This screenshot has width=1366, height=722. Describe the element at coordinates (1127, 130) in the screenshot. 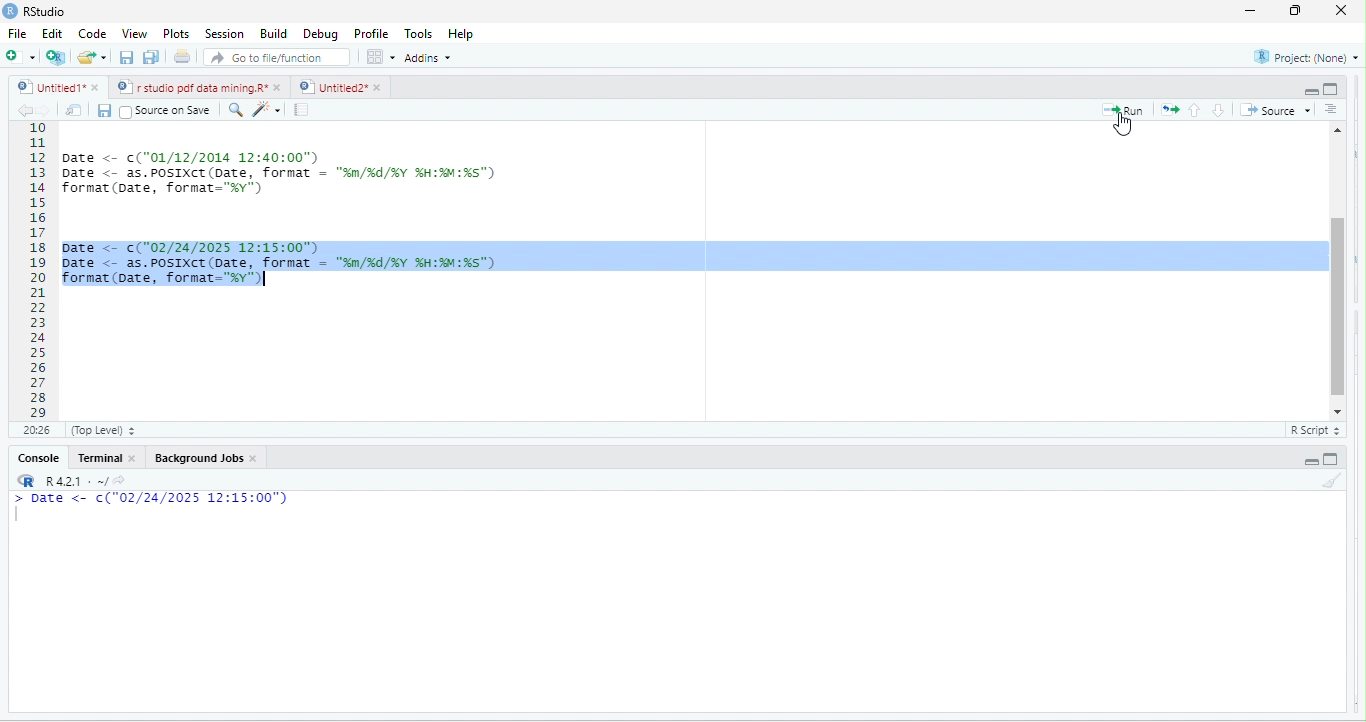

I see `cursor movement` at that location.